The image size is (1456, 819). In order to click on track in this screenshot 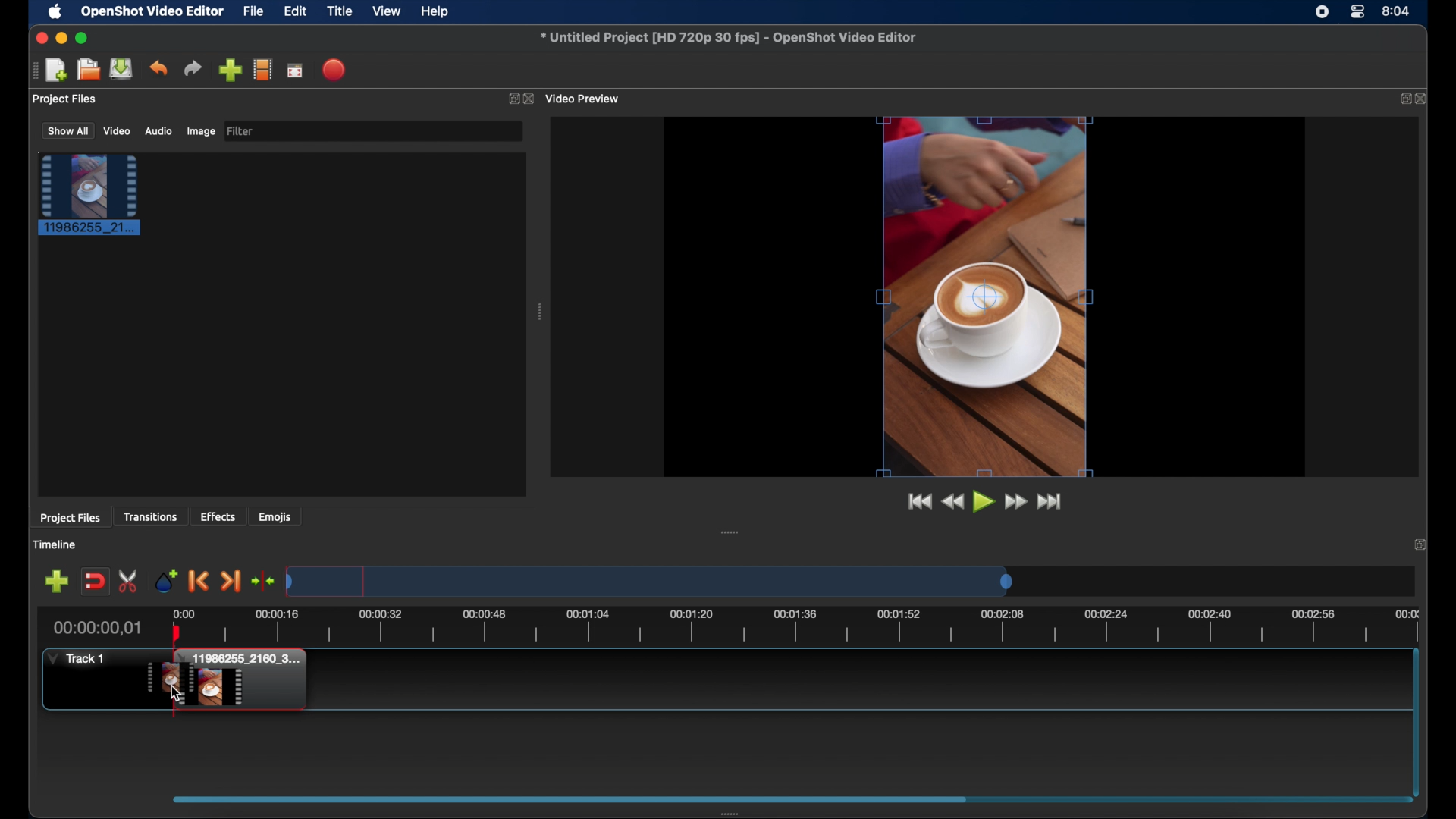, I will do `click(258, 679)`.